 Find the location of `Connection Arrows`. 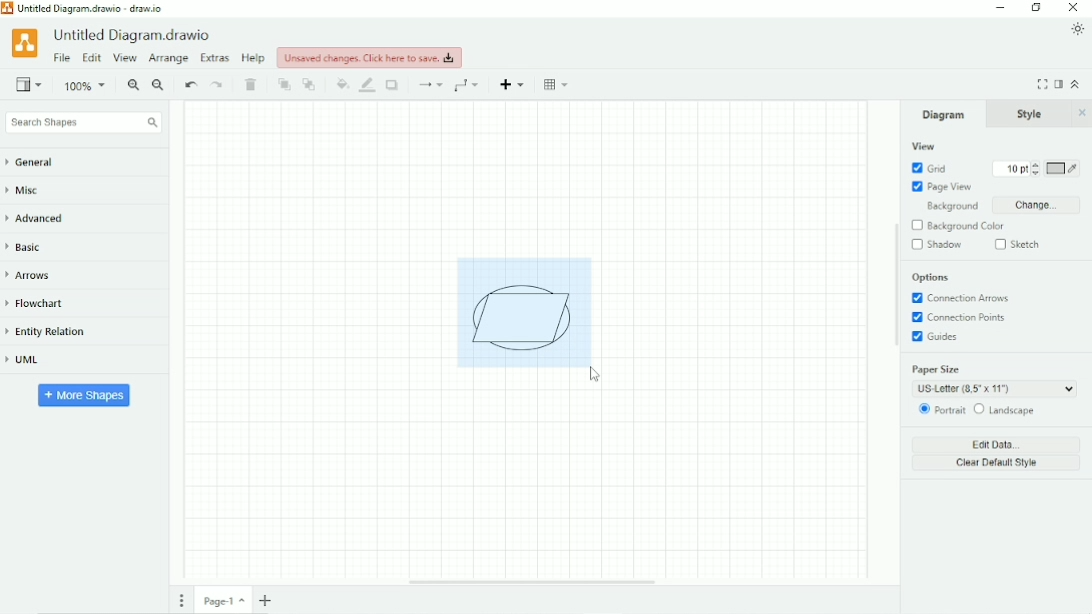

Connection Arrows is located at coordinates (962, 298).